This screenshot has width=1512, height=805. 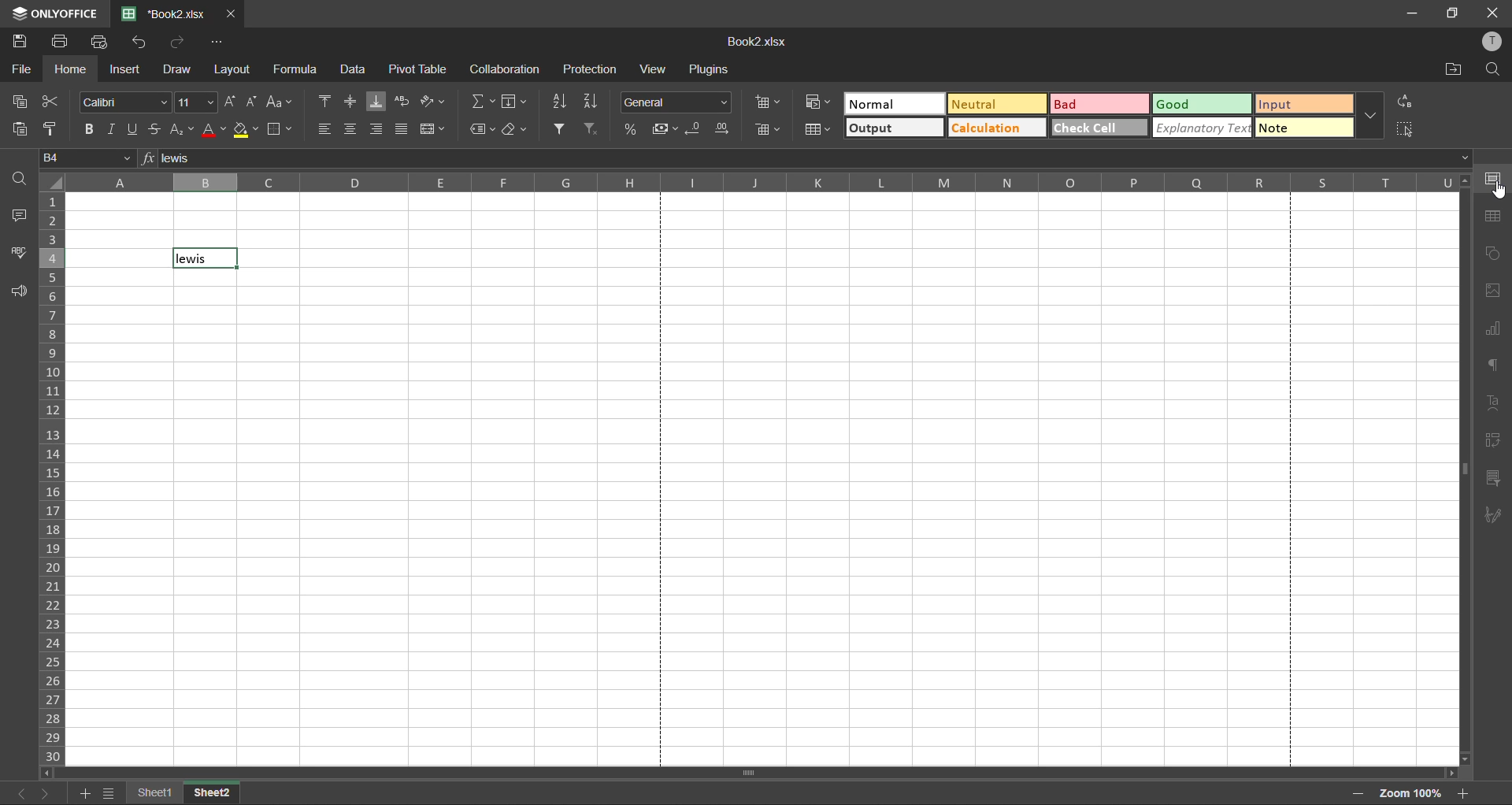 What do you see at coordinates (80, 793) in the screenshot?
I see `add sheet` at bounding box center [80, 793].